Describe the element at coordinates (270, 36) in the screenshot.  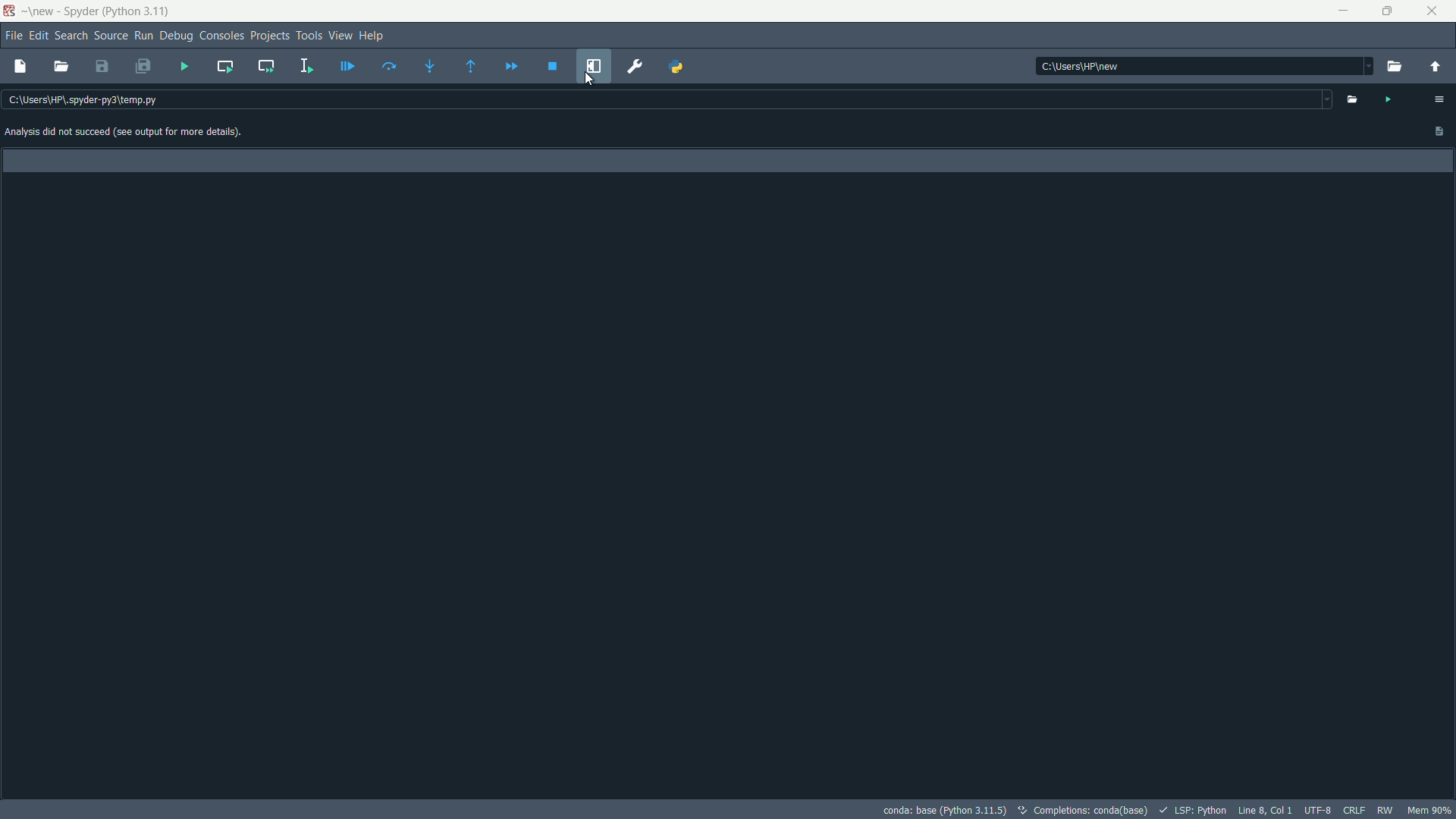
I see `projects menu` at that location.